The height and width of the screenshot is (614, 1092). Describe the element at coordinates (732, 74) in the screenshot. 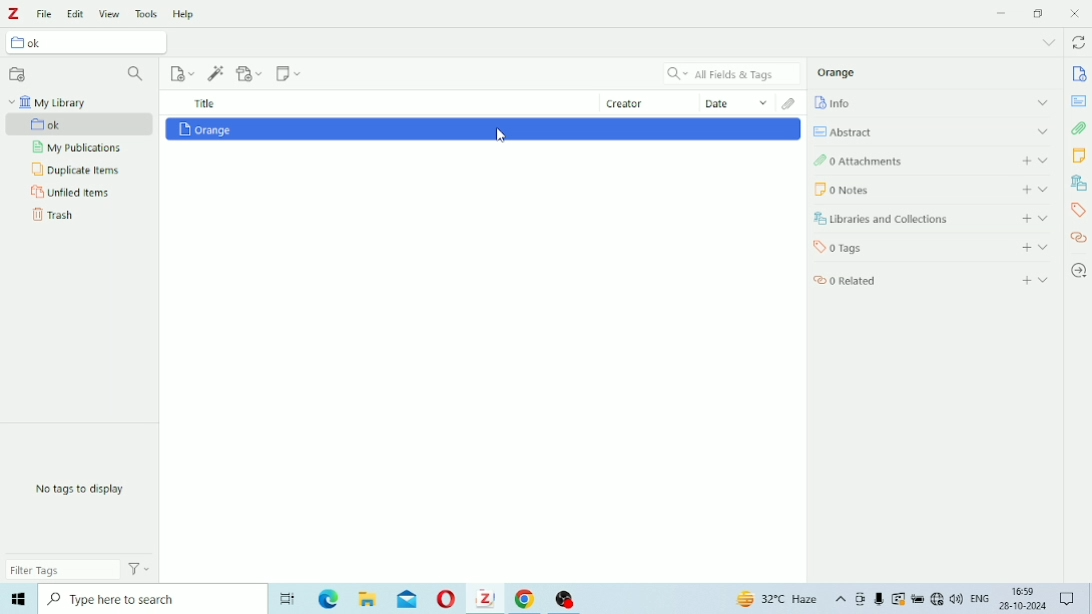

I see `All Fields & Tags` at that location.